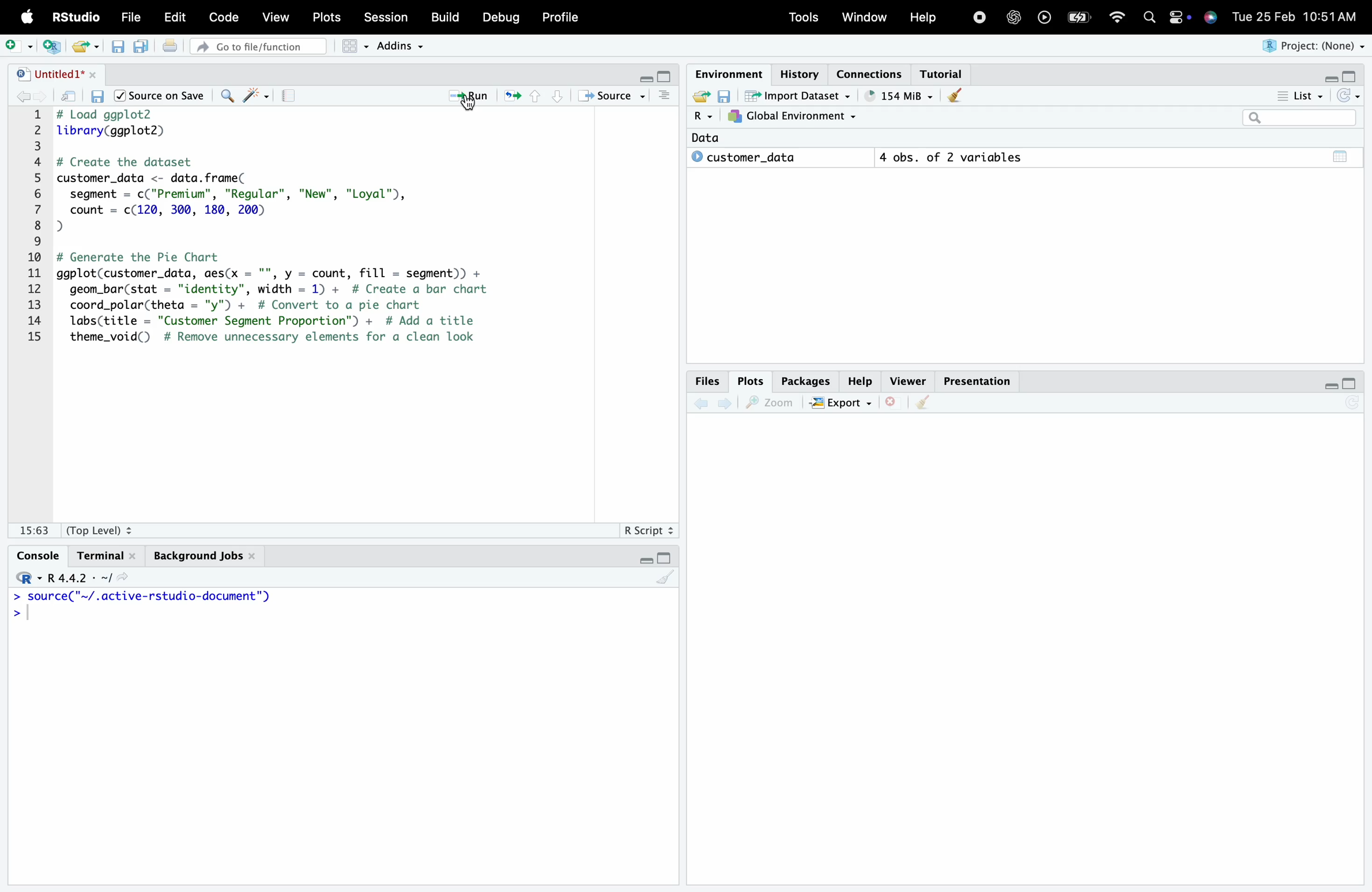 The height and width of the screenshot is (892, 1372). What do you see at coordinates (643, 562) in the screenshot?
I see `minimise` at bounding box center [643, 562].